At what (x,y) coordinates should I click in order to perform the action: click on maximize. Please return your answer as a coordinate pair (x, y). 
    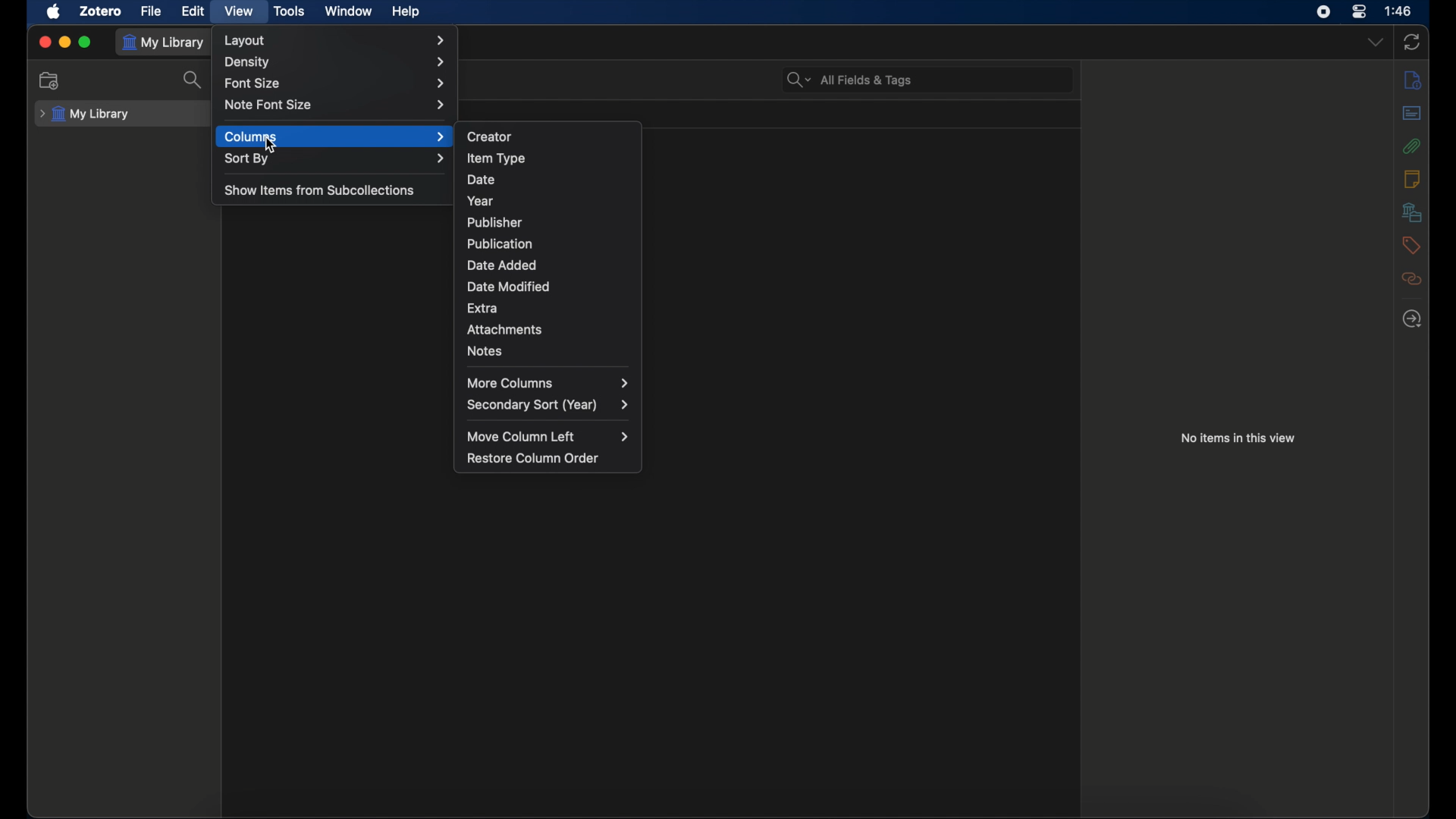
    Looking at the image, I should click on (86, 42).